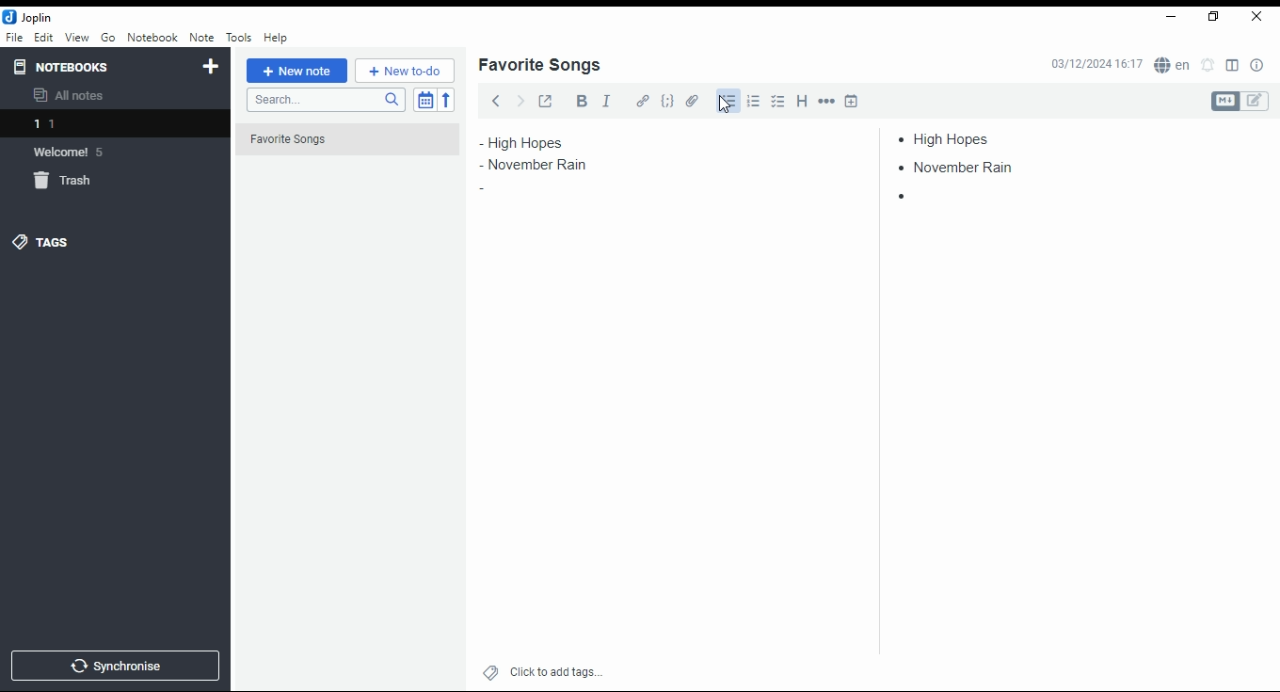 The width and height of the screenshot is (1280, 692). What do you see at coordinates (803, 99) in the screenshot?
I see `heading` at bounding box center [803, 99].